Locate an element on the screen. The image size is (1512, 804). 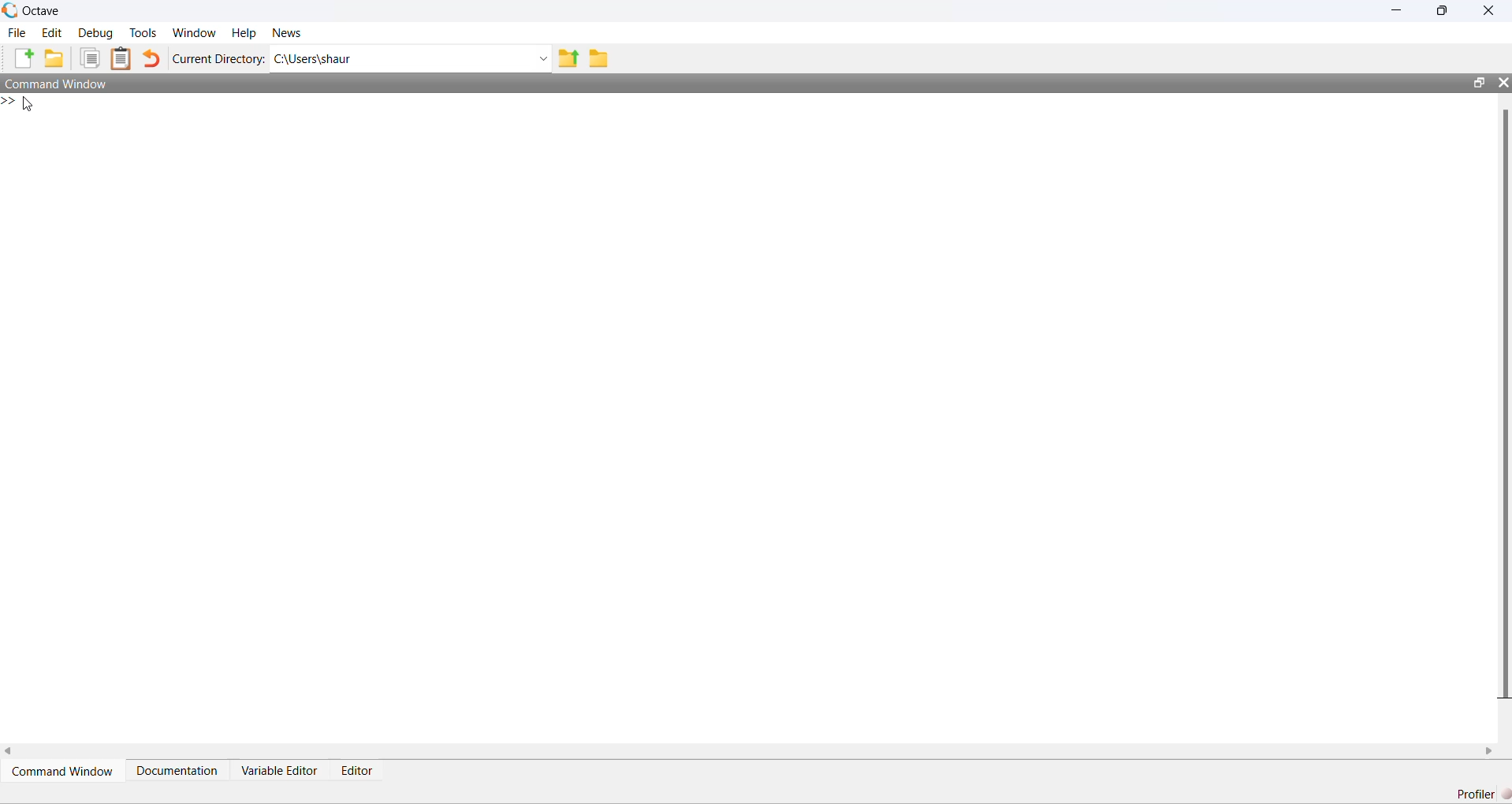
‘Command Window is located at coordinates (63, 771).